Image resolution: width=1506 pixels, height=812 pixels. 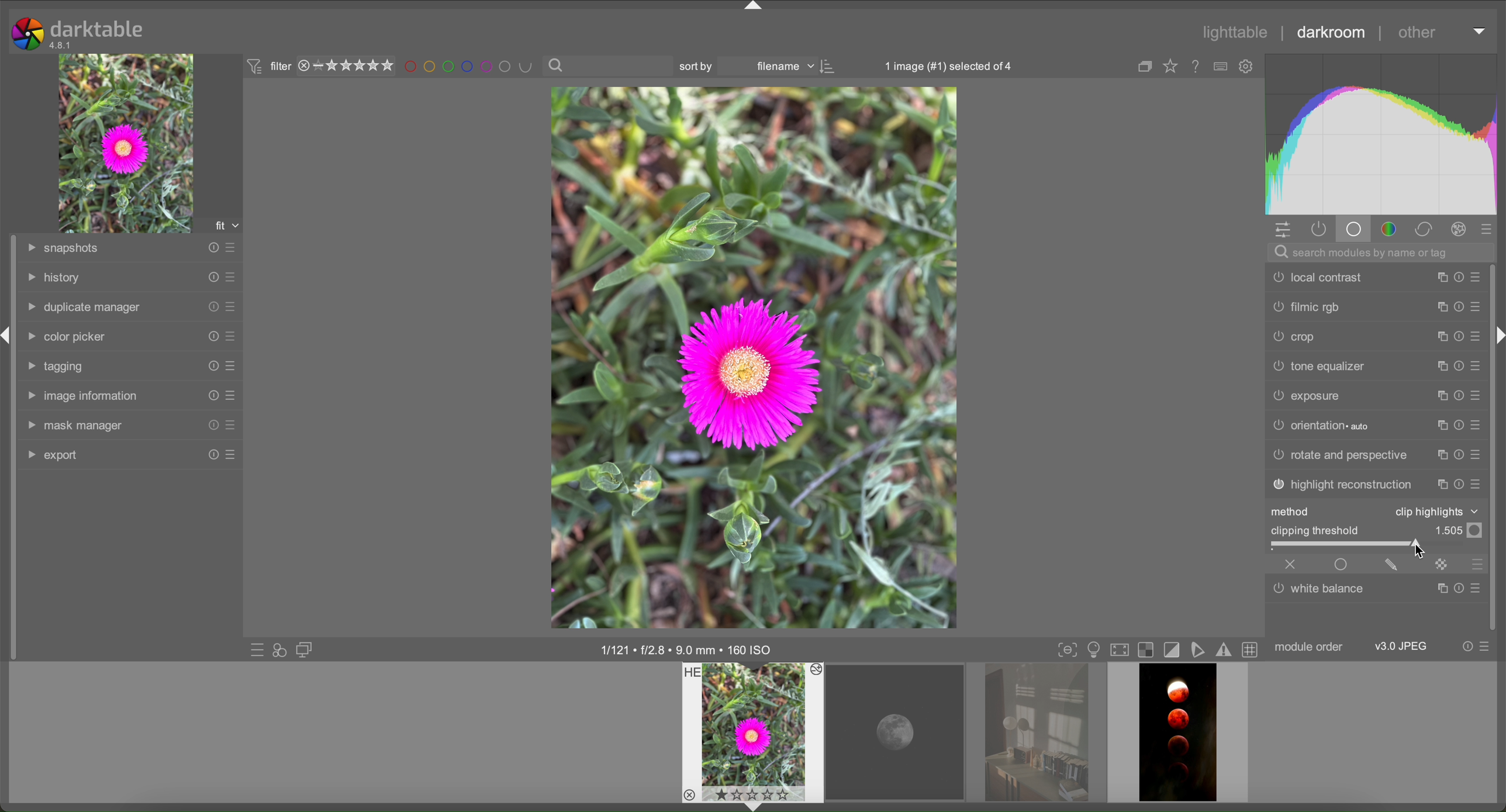 I want to click on set display profile, so click(x=1120, y=650).